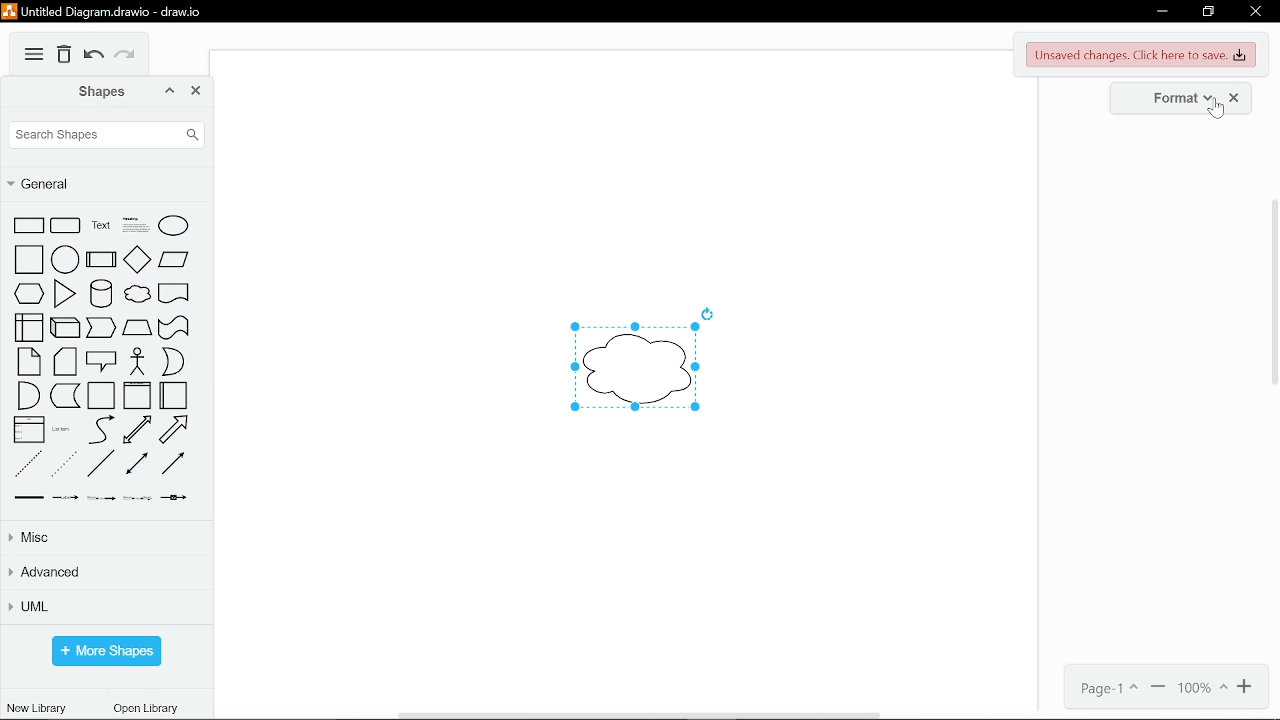  What do you see at coordinates (102, 328) in the screenshot?
I see `step` at bounding box center [102, 328].